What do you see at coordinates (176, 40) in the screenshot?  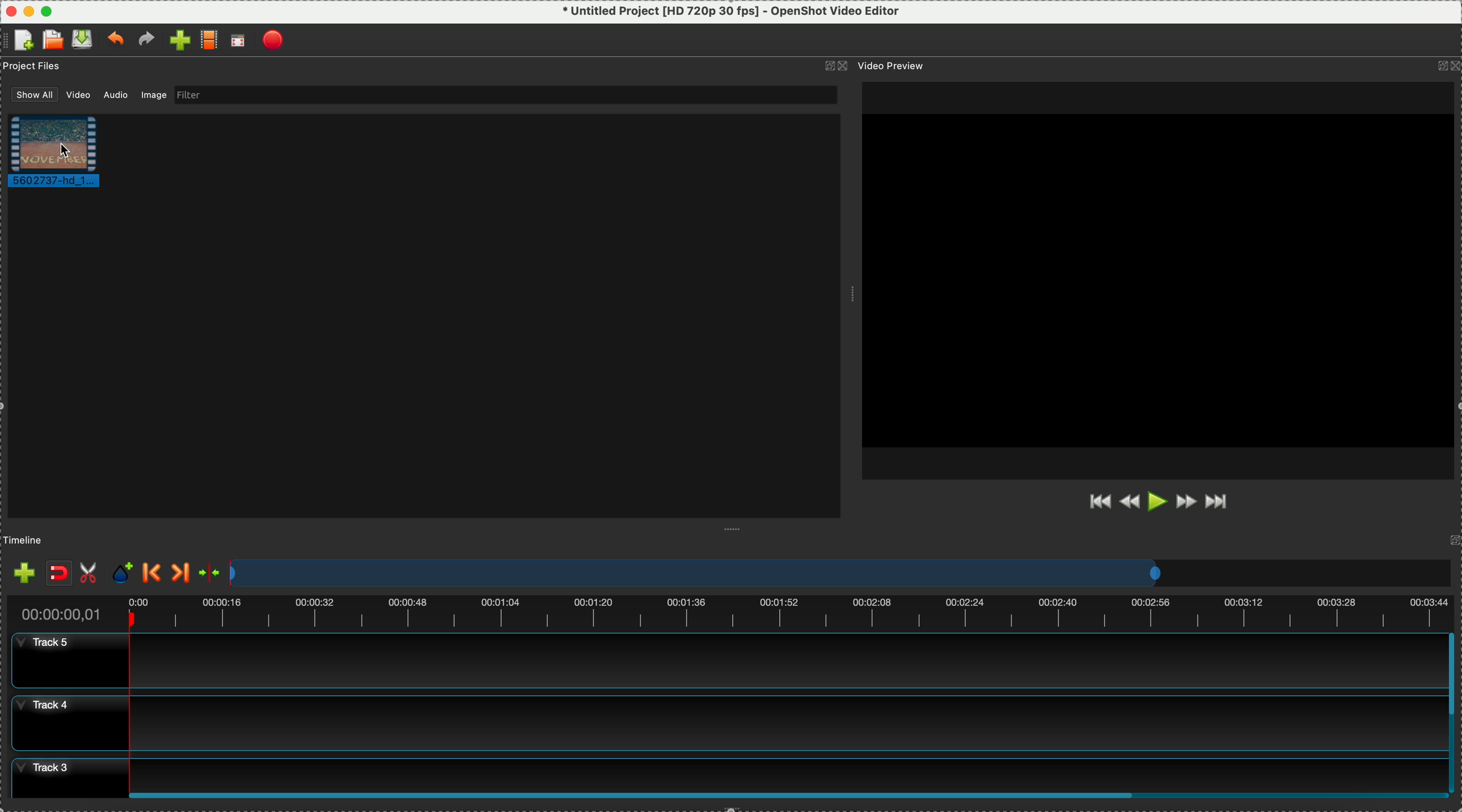 I see `import file` at bounding box center [176, 40].